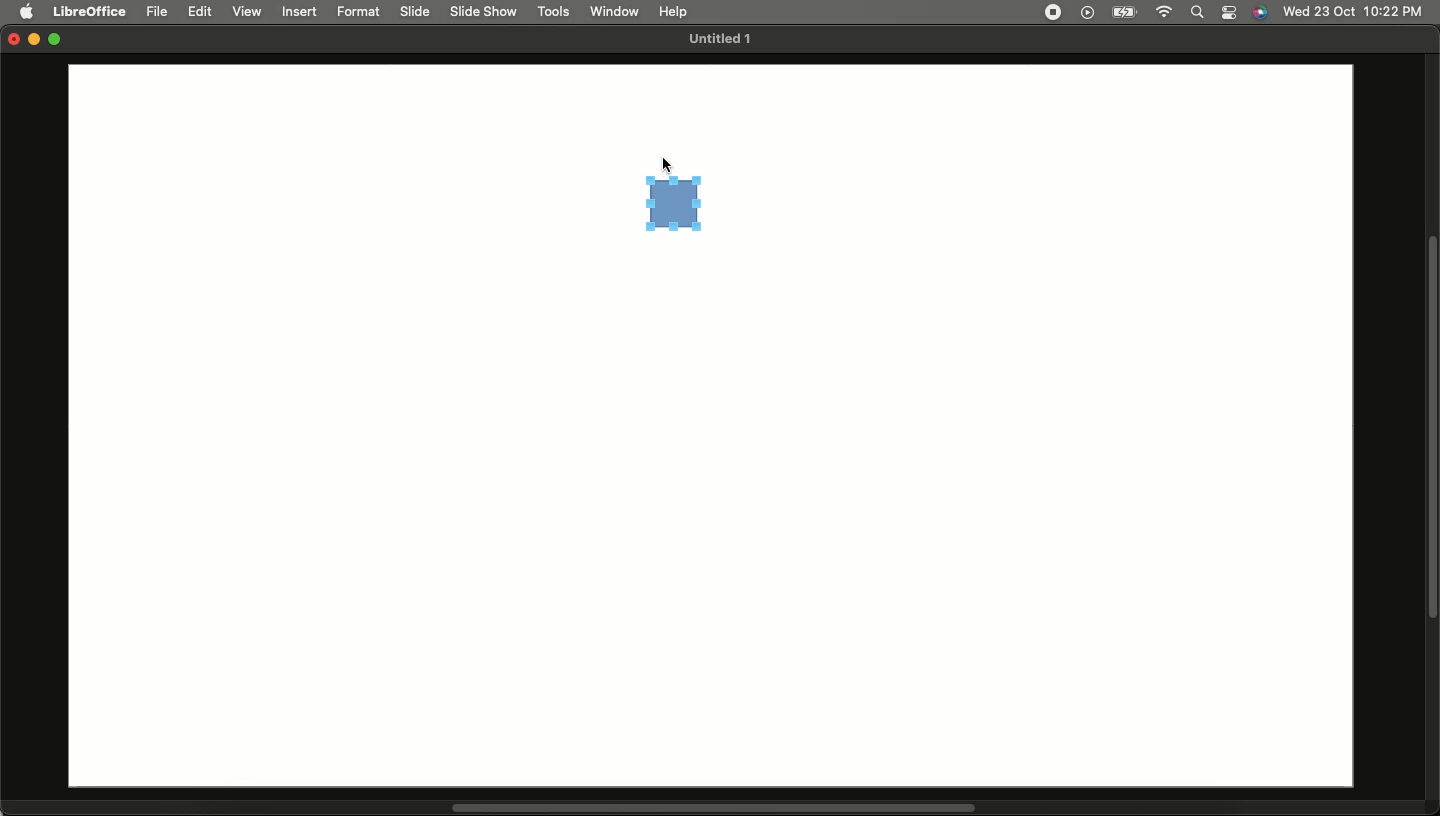 The image size is (1440, 816). What do you see at coordinates (717, 40) in the screenshot?
I see `Untitled 1` at bounding box center [717, 40].